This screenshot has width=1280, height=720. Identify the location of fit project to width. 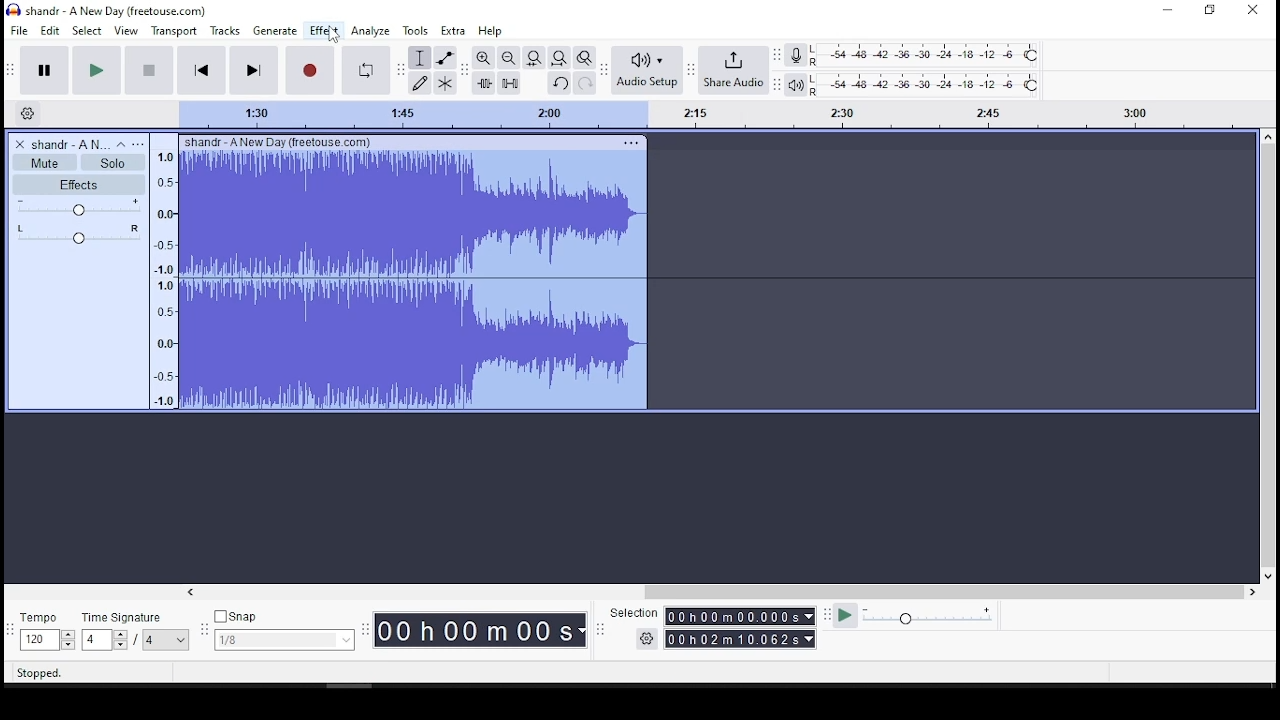
(558, 57).